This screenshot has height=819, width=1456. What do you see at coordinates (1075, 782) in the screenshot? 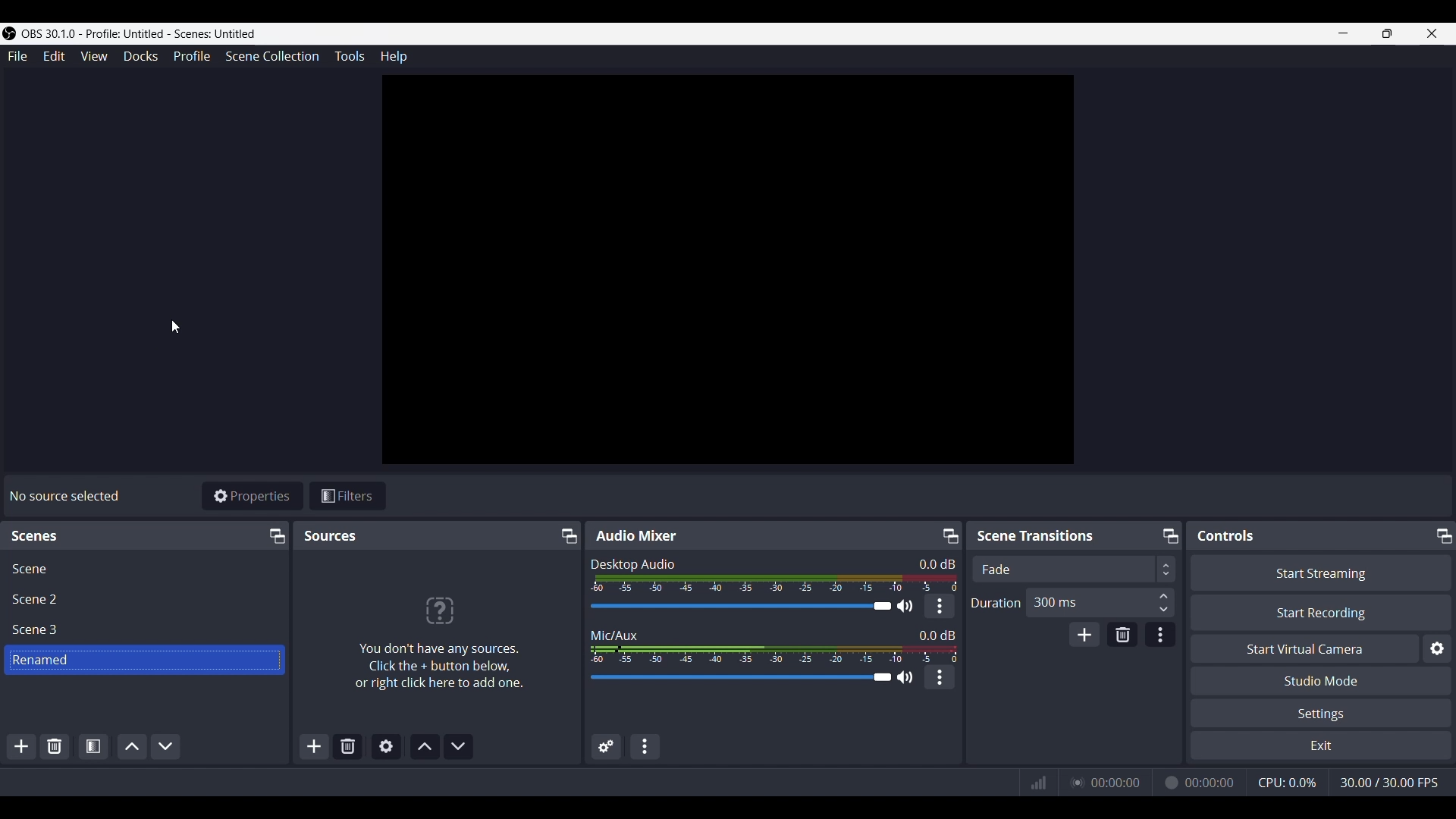
I see `Streaming` at bounding box center [1075, 782].